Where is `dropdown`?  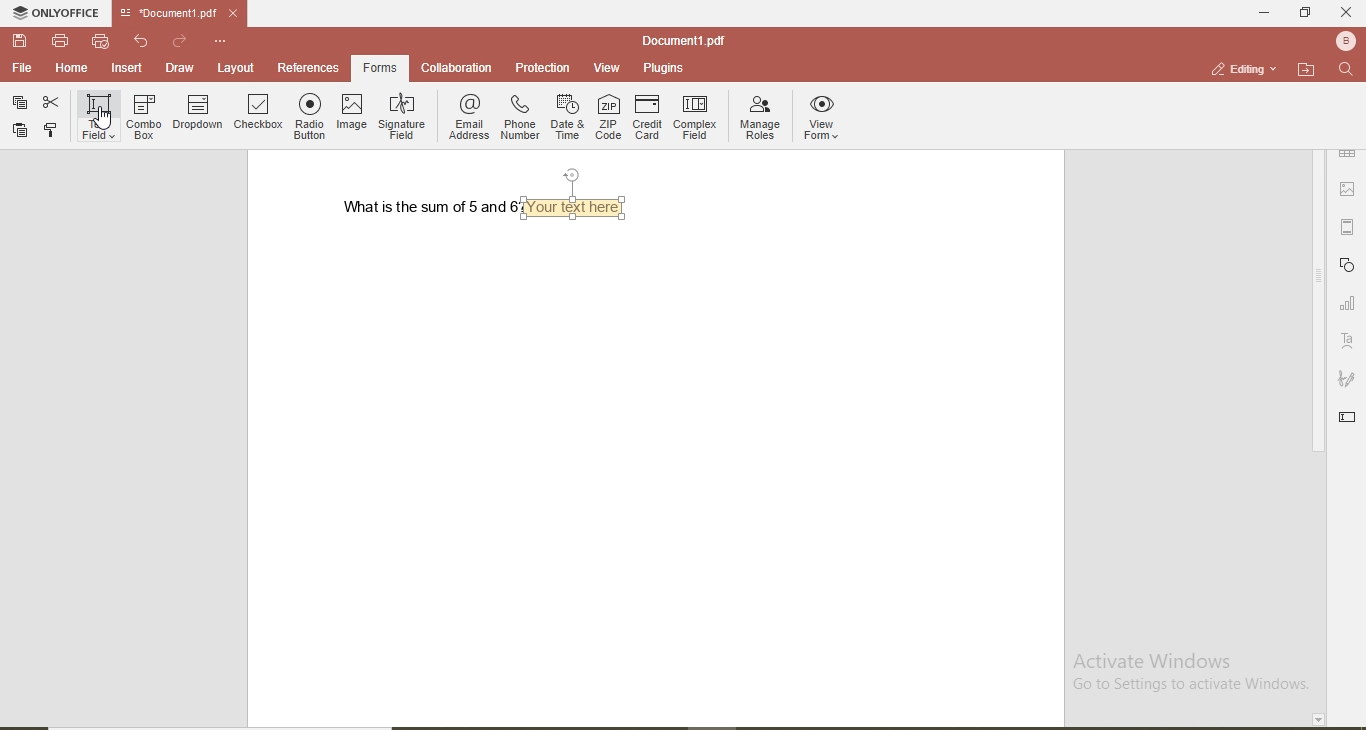 dropdown is located at coordinates (198, 115).